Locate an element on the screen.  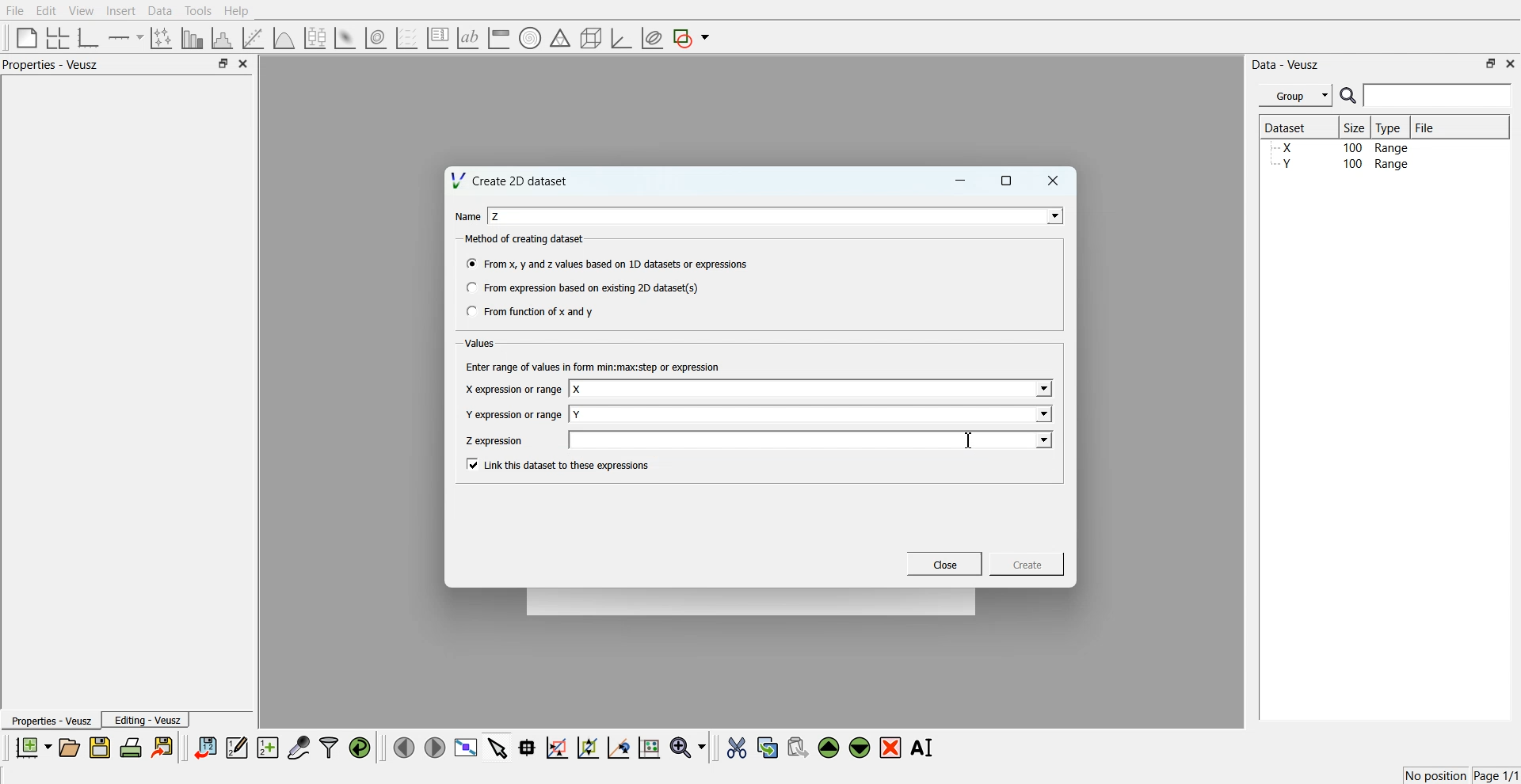
Properties - Veusz is located at coordinates (51, 64).